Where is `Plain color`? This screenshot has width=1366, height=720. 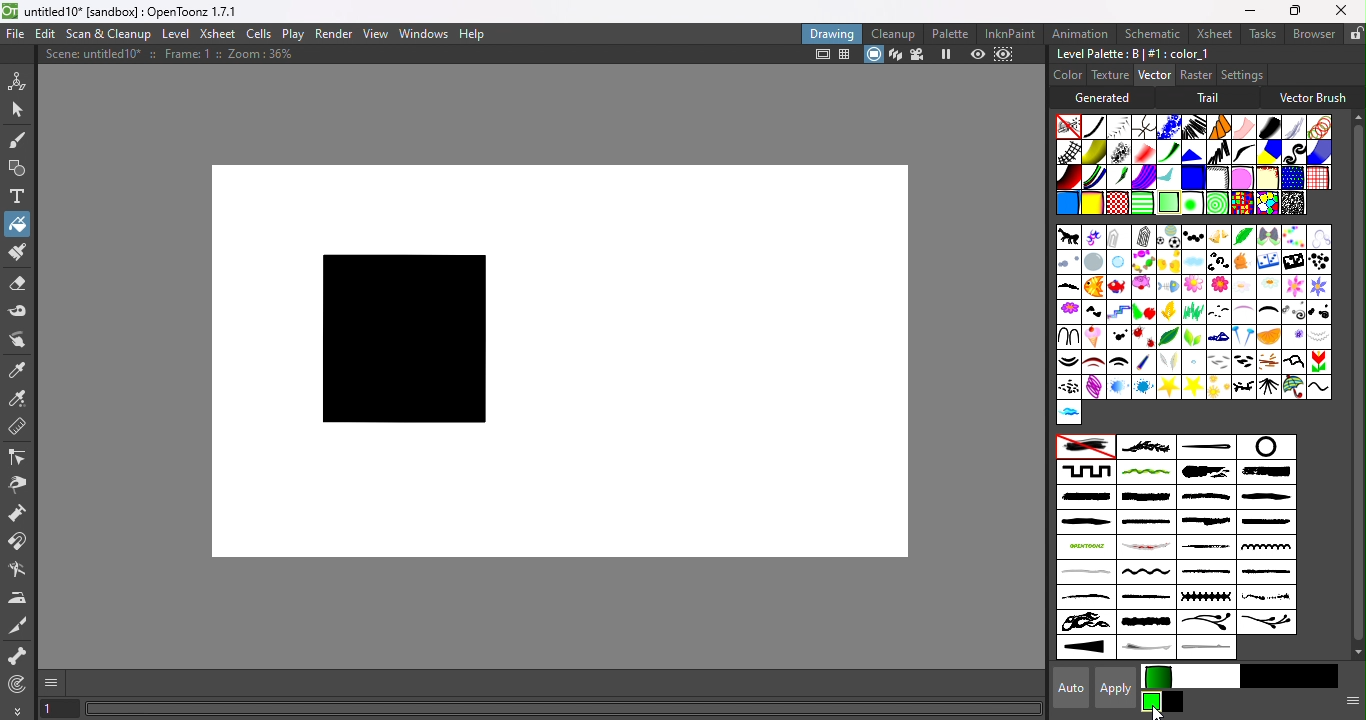 Plain color is located at coordinates (1069, 126).